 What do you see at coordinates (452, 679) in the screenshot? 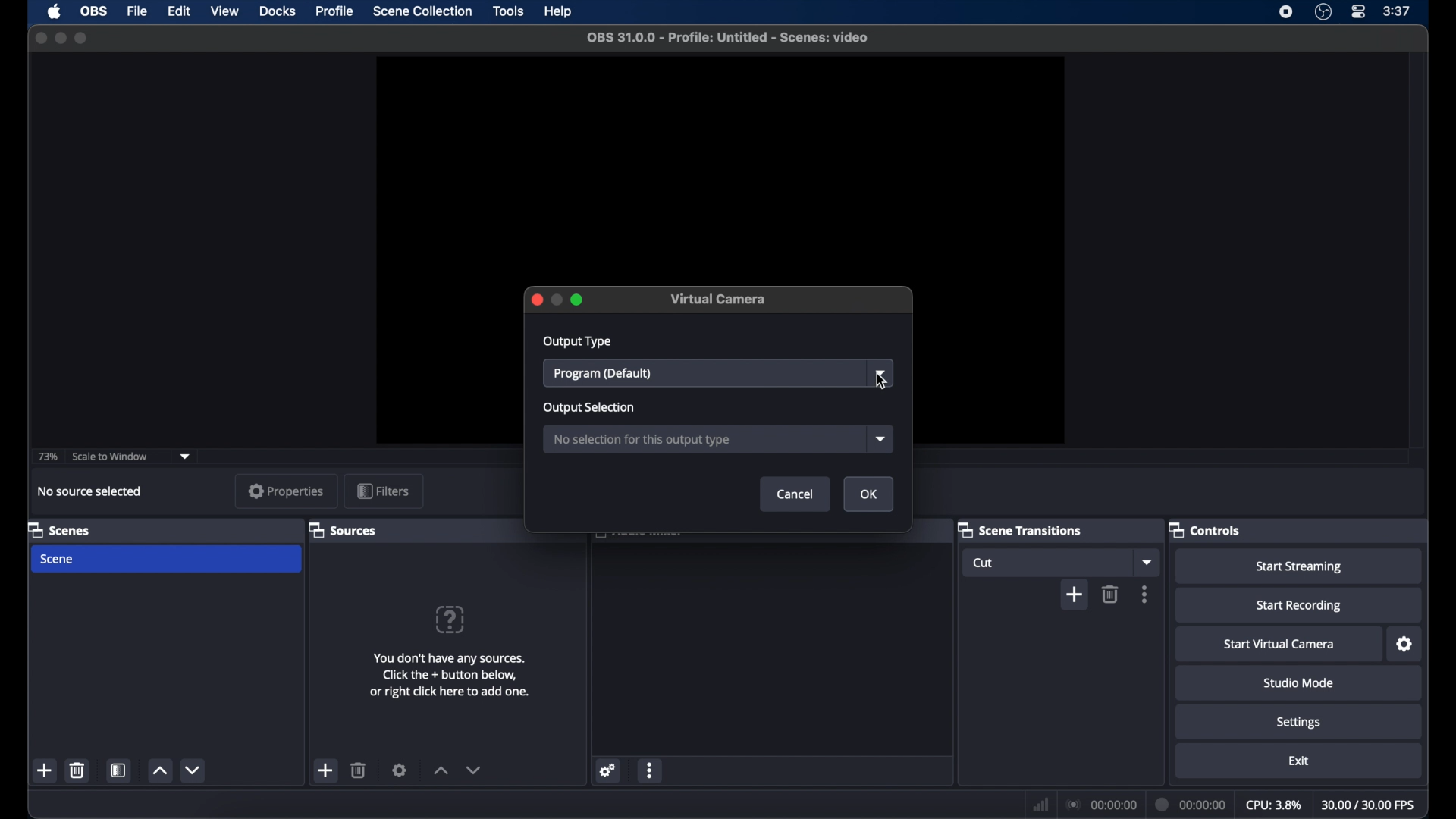
I see `You don't have any sources.
Click the + button below,
or right click here to add one.` at bounding box center [452, 679].